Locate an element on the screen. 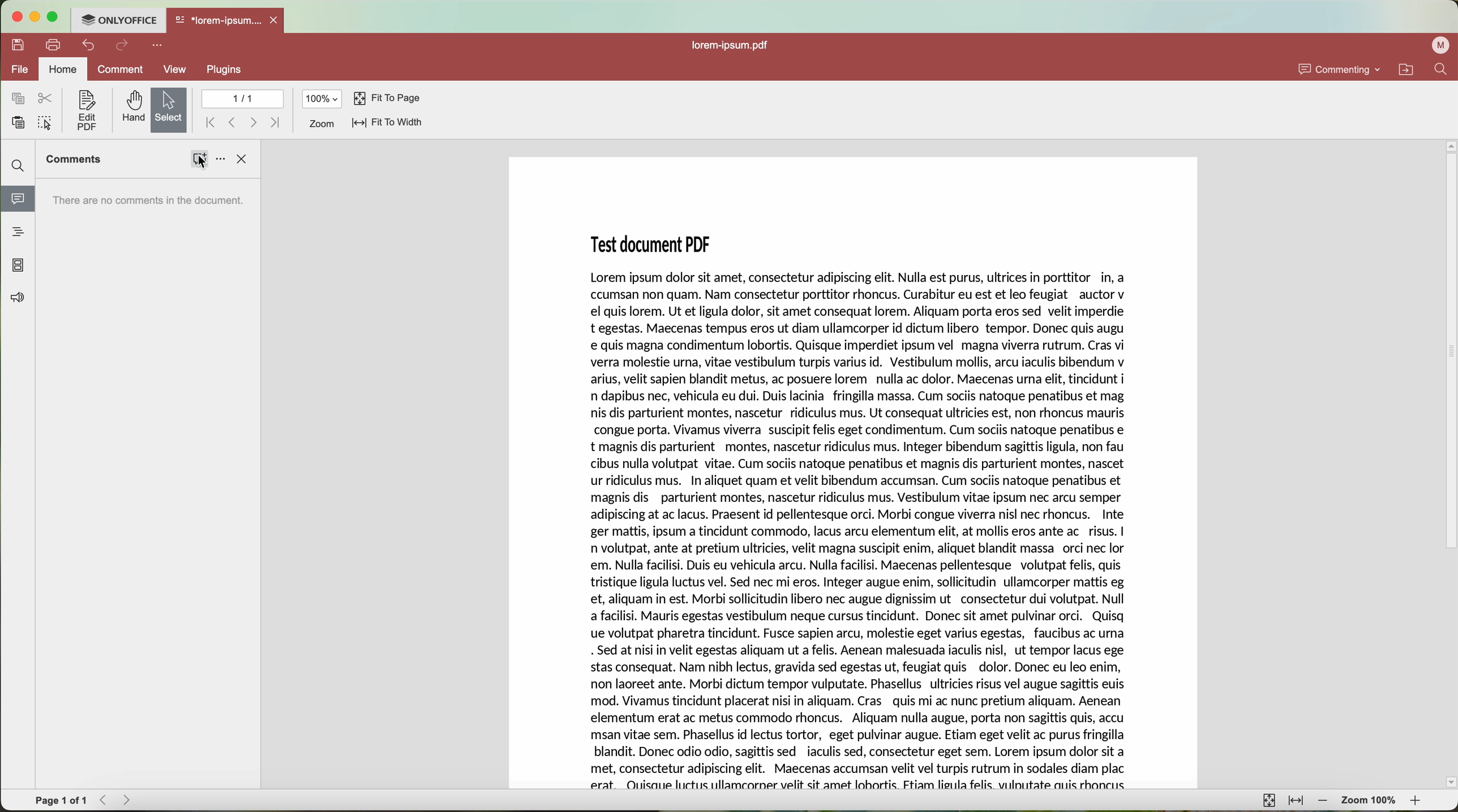  cursor is located at coordinates (204, 164).